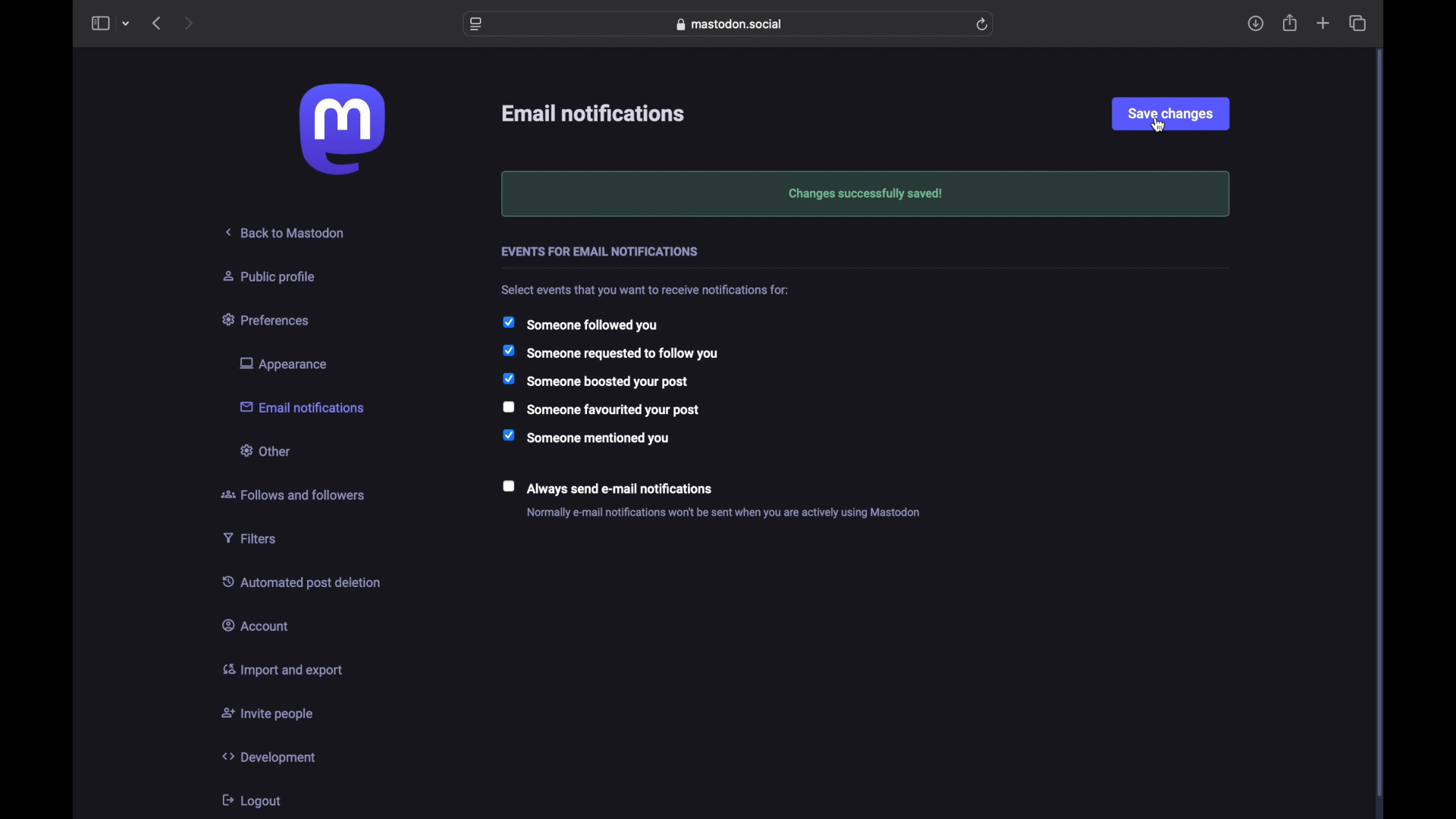  I want to click on development, so click(268, 757).